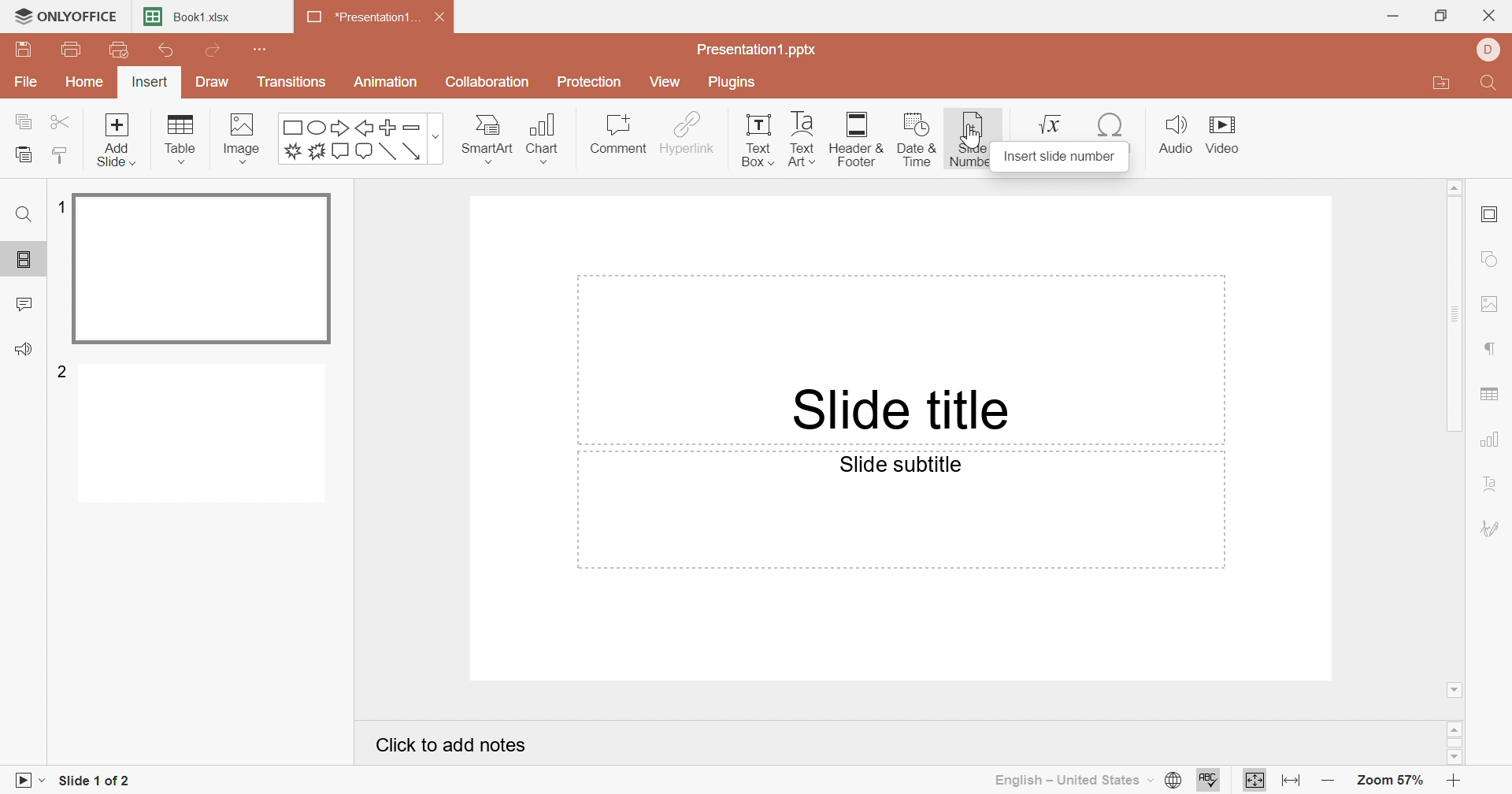 The image size is (1512, 794). Describe the element at coordinates (1496, 261) in the screenshot. I see `shape settings` at that location.